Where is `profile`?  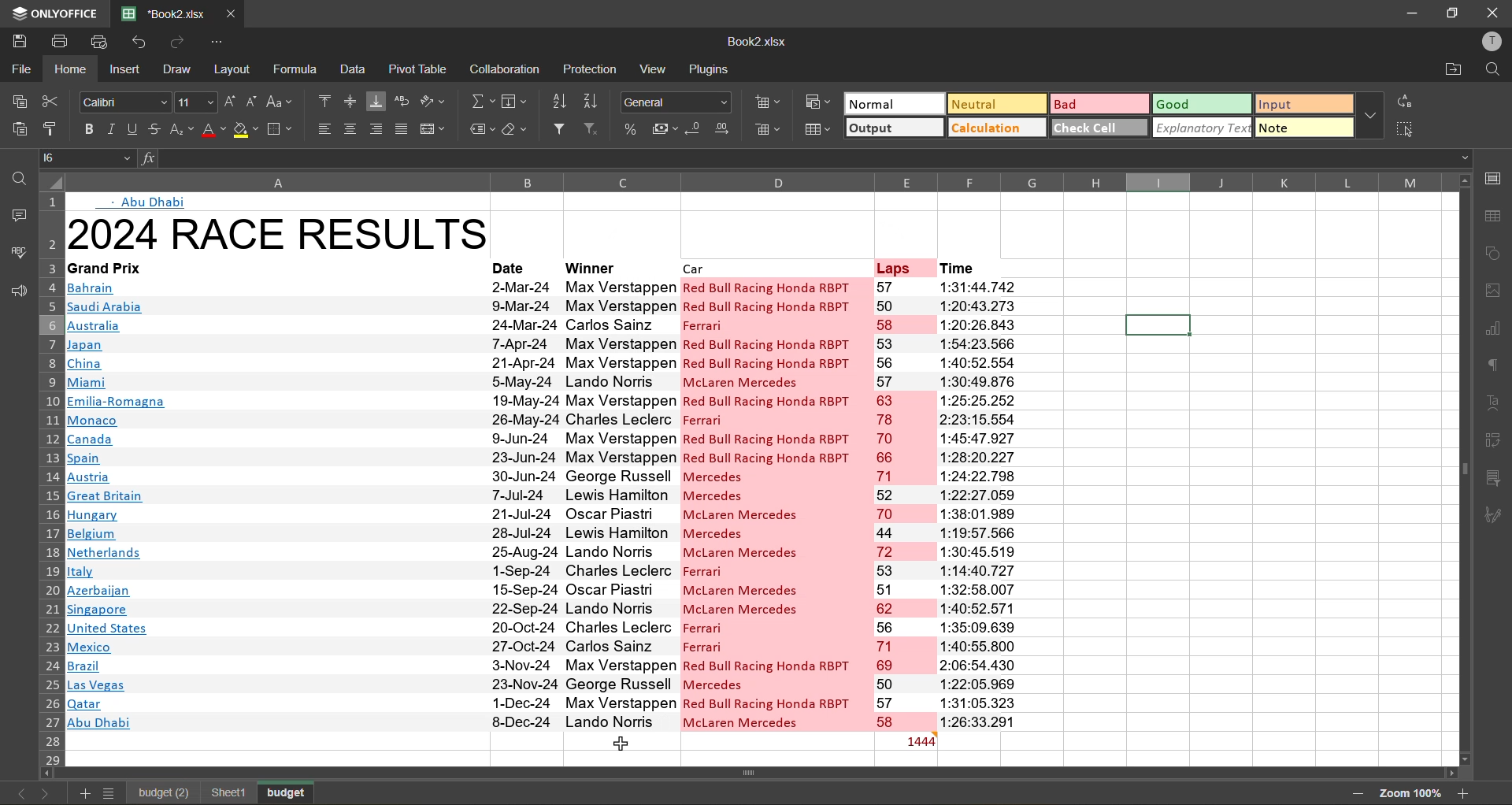 profile is located at coordinates (1488, 42).